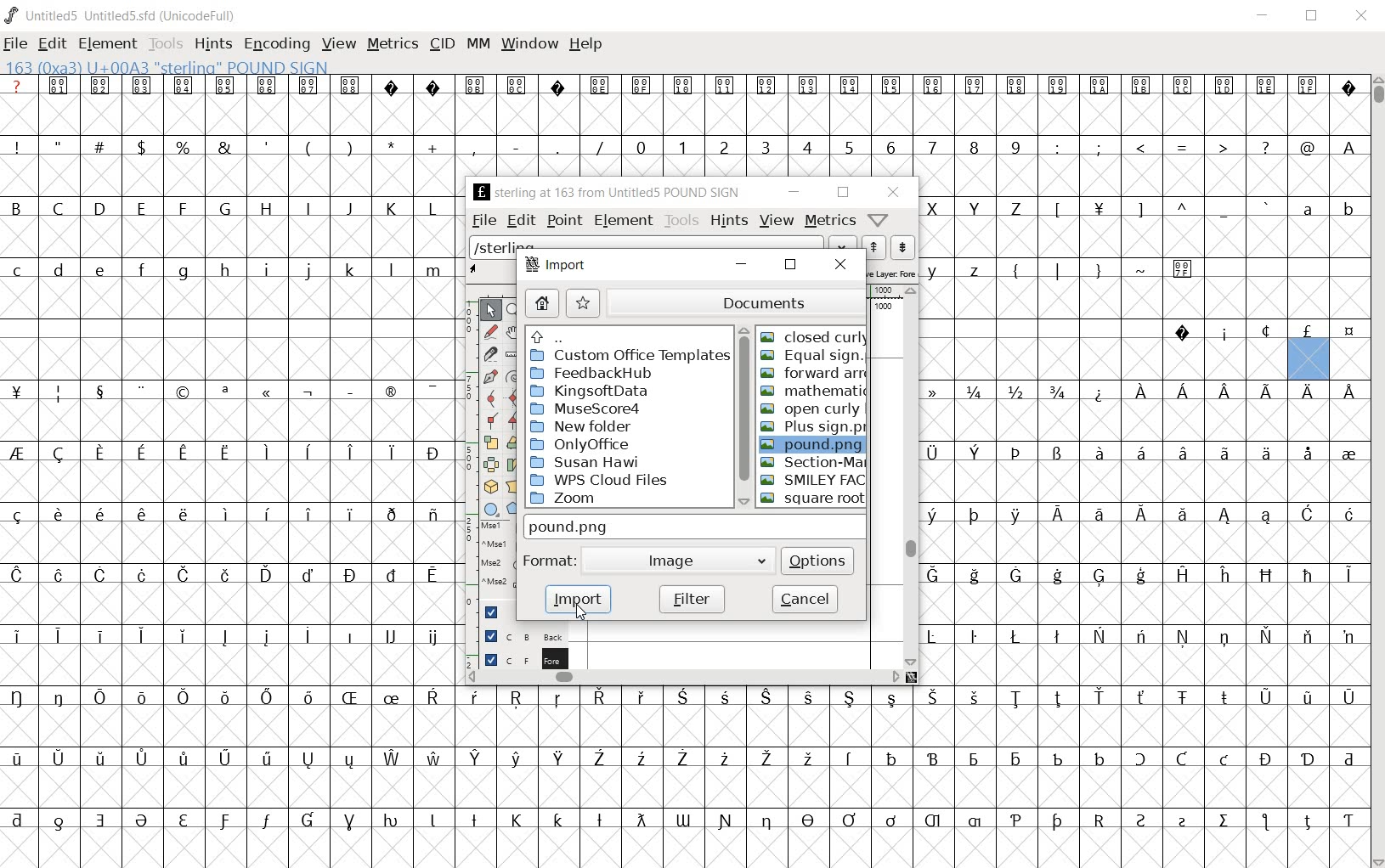 The width and height of the screenshot is (1385, 868). What do you see at coordinates (1347, 146) in the screenshot?
I see `A` at bounding box center [1347, 146].